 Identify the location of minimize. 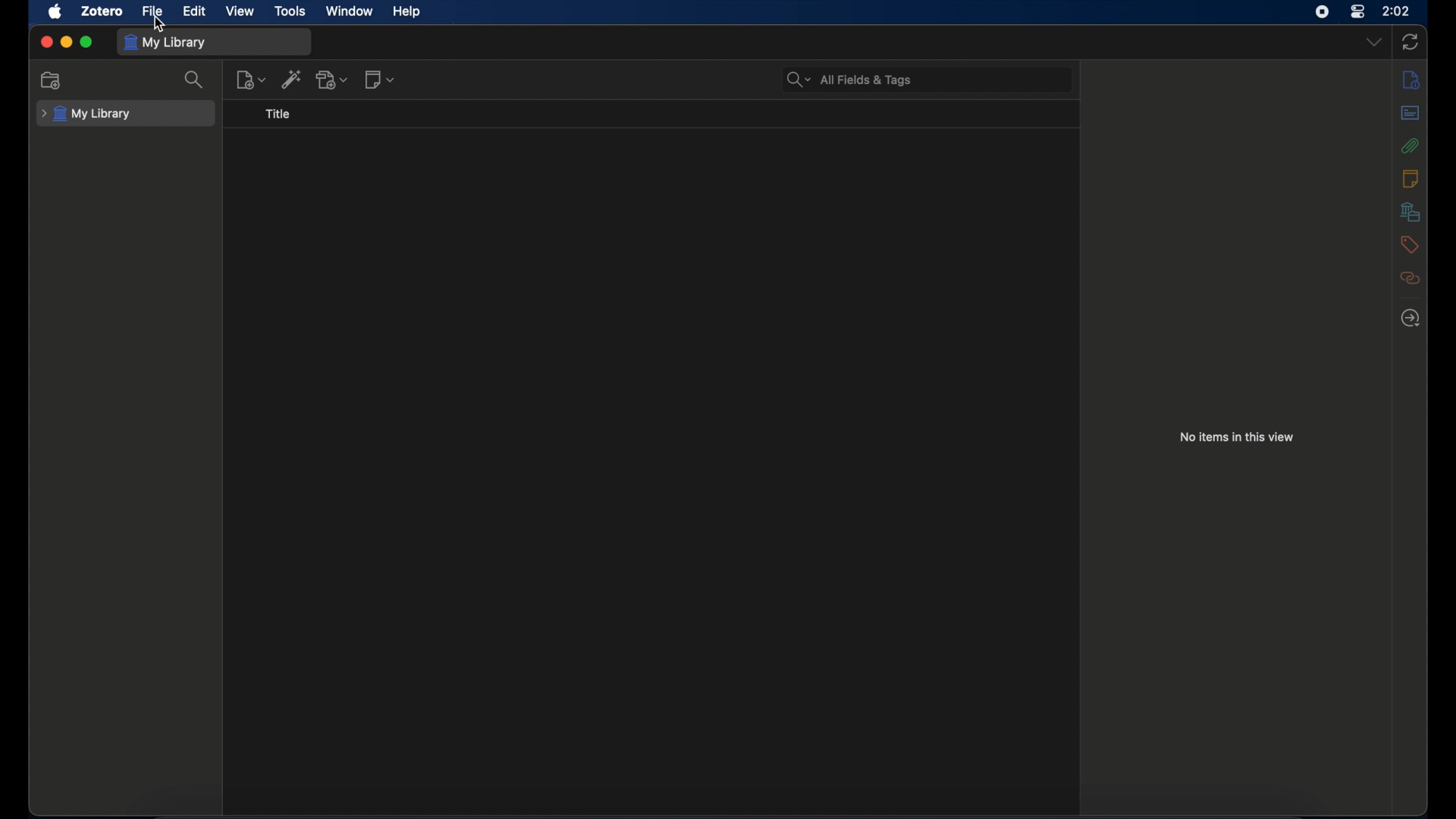
(68, 42).